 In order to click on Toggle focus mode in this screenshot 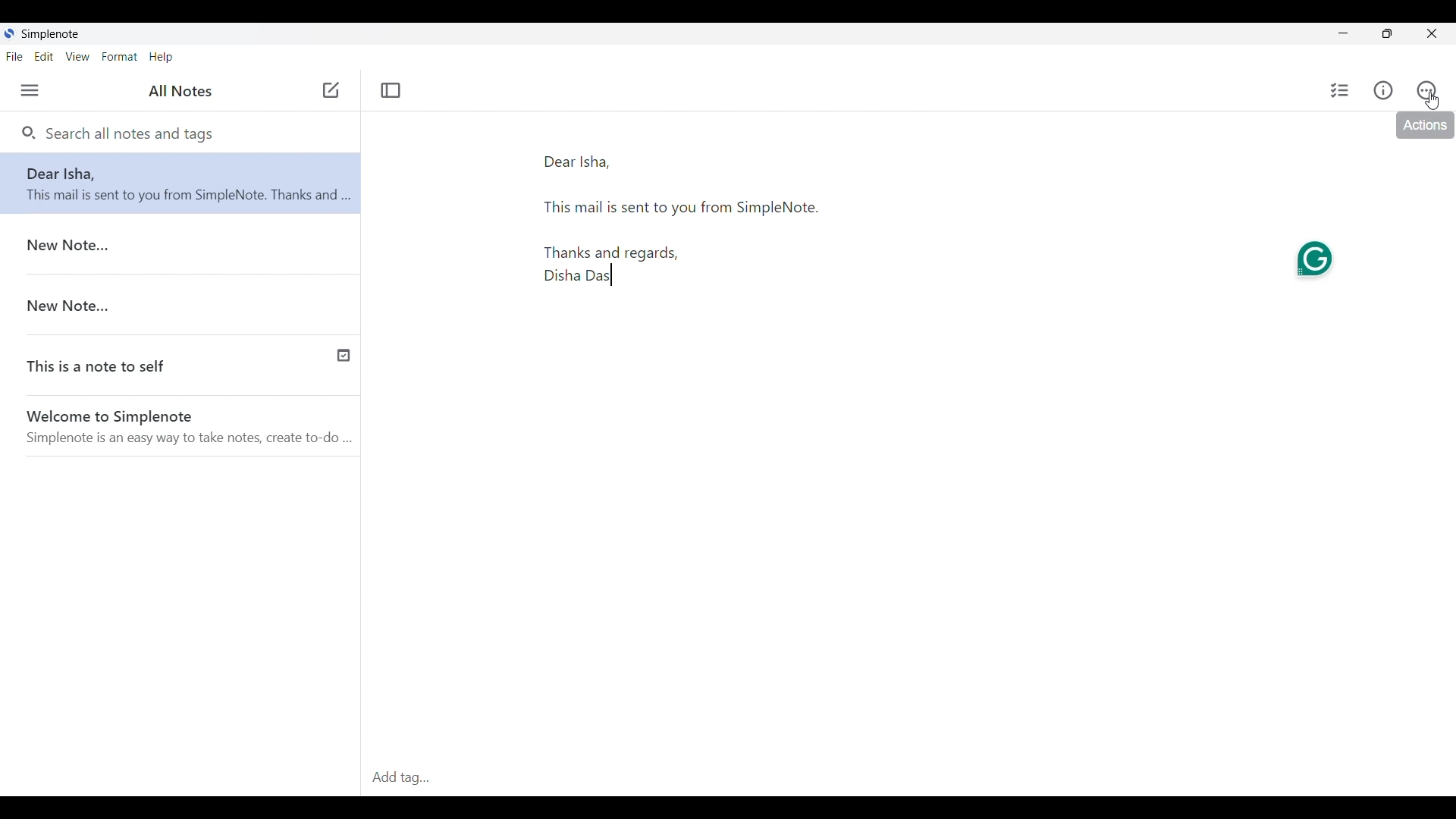, I will do `click(391, 90)`.